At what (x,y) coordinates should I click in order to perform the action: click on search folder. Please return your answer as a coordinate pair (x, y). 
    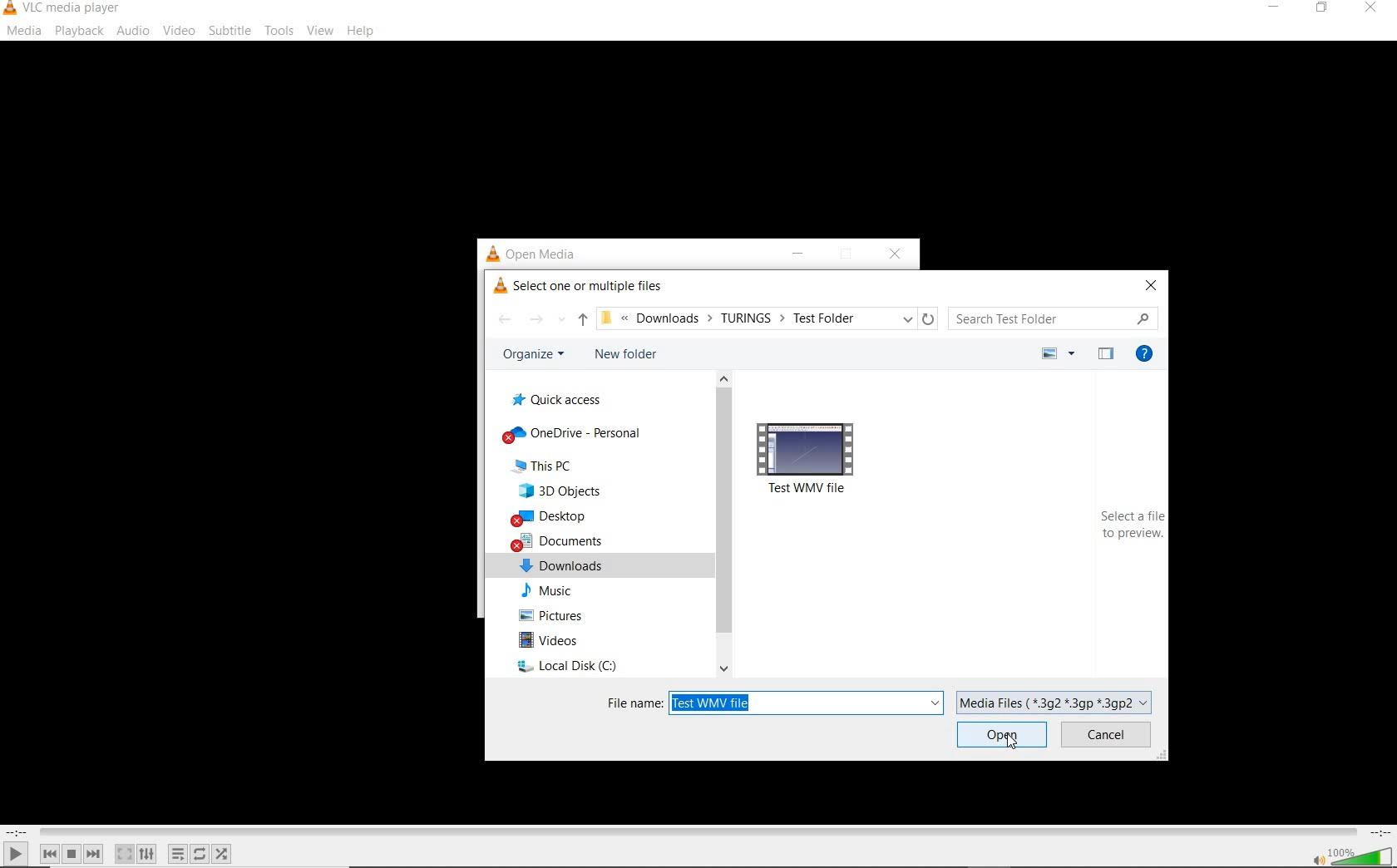
    Looking at the image, I should click on (1054, 318).